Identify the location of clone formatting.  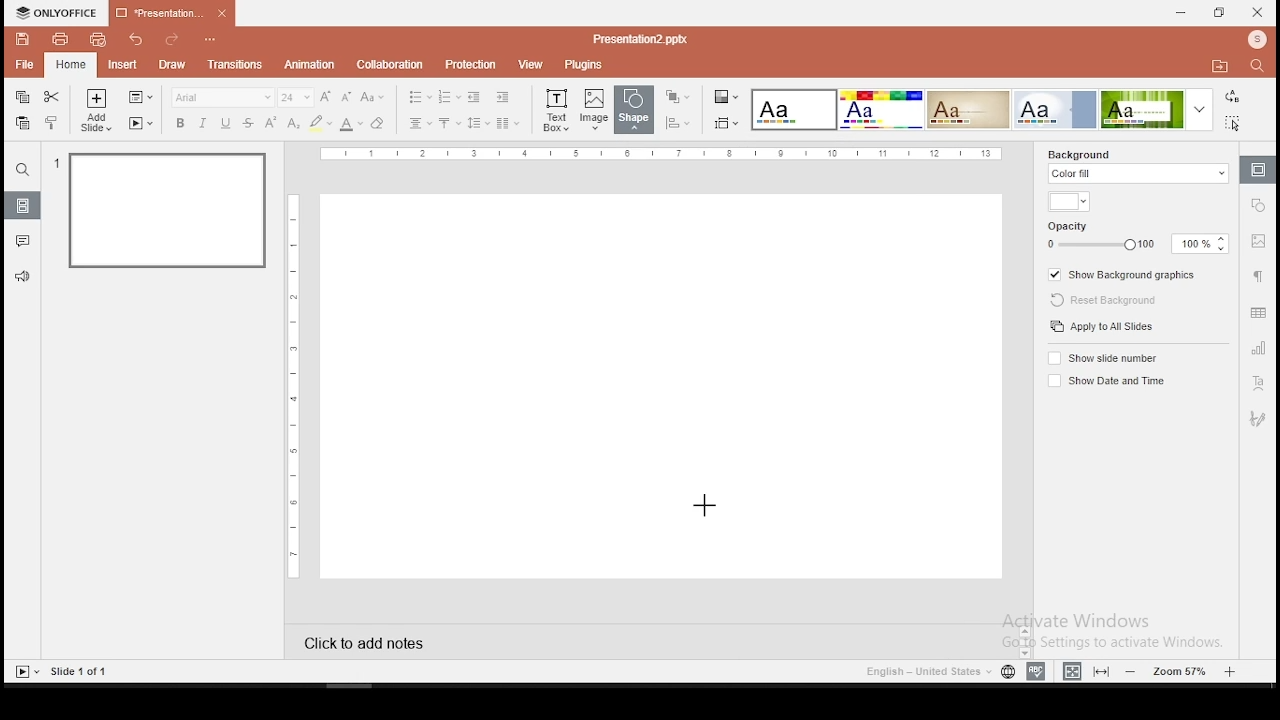
(52, 122).